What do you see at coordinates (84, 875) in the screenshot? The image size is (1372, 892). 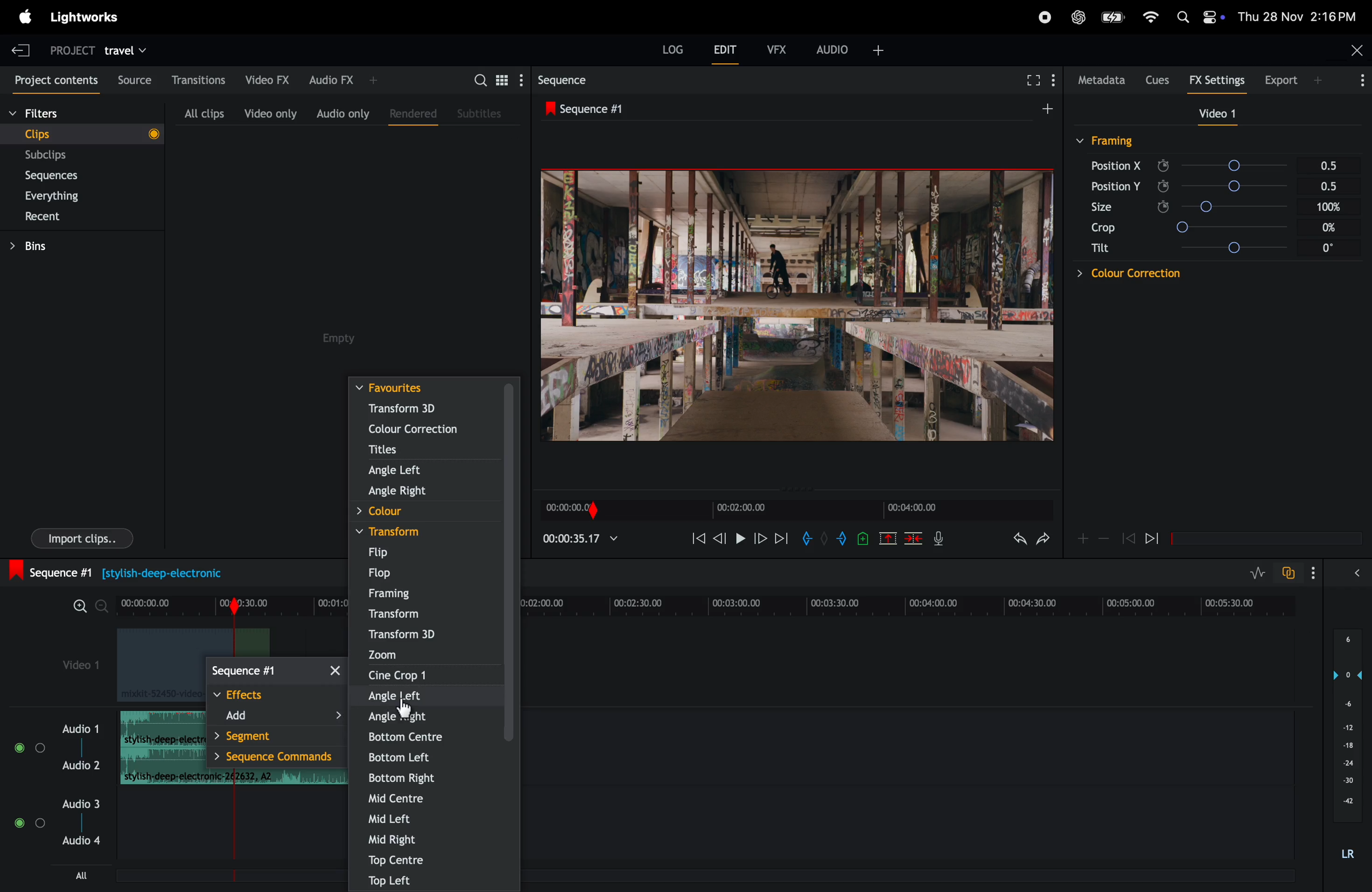 I see `all` at bounding box center [84, 875].